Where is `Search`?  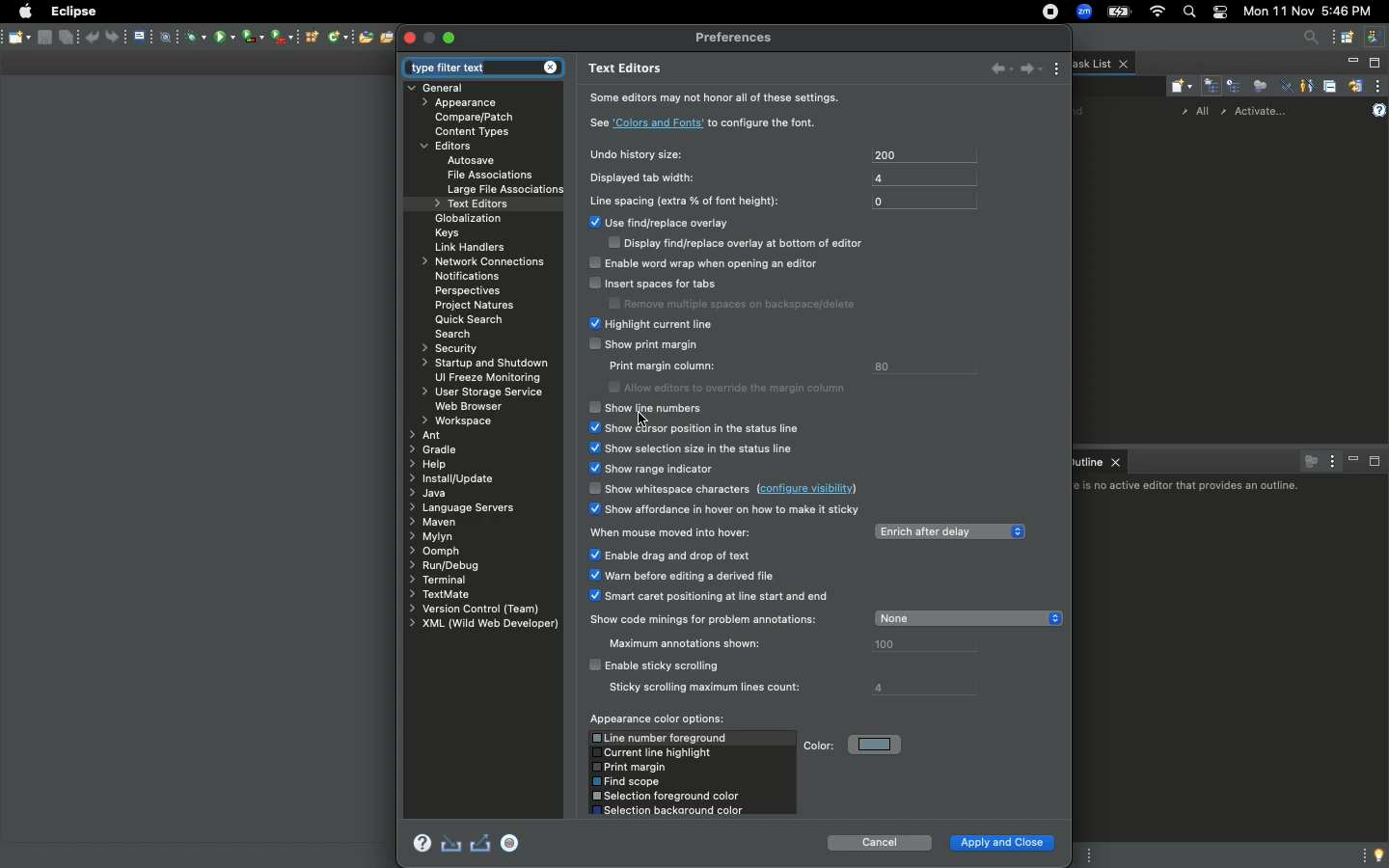
Search is located at coordinates (1308, 40).